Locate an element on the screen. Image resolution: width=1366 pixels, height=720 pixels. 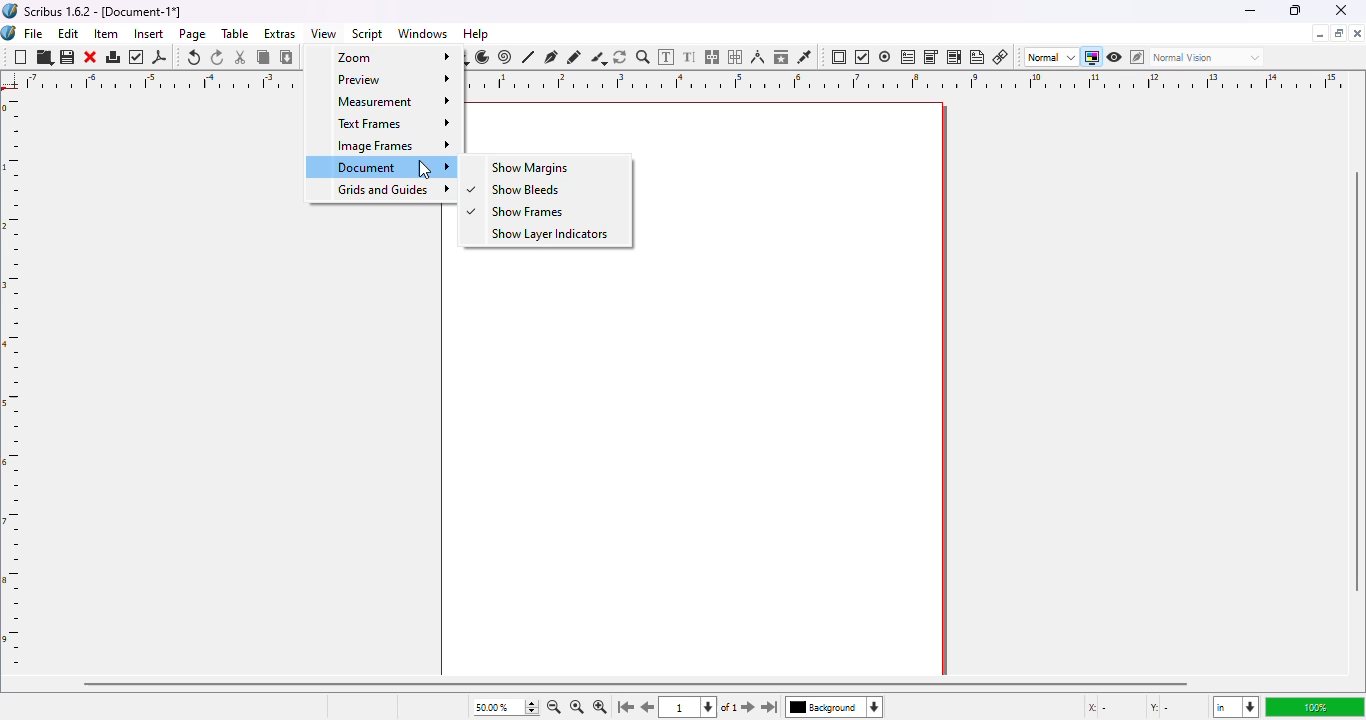
page is located at coordinates (194, 34).